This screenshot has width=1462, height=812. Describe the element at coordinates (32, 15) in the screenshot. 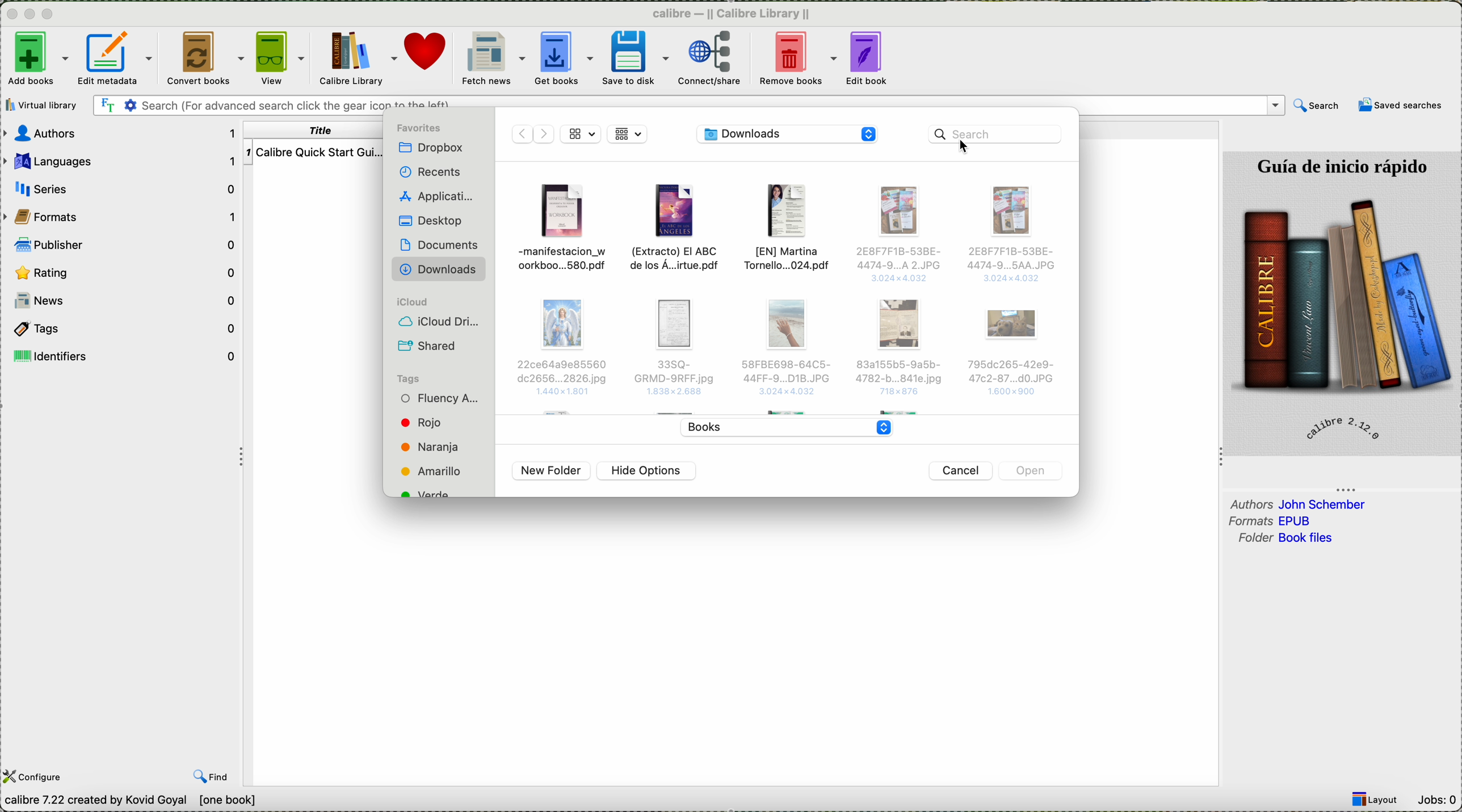

I see `minimize program` at that location.